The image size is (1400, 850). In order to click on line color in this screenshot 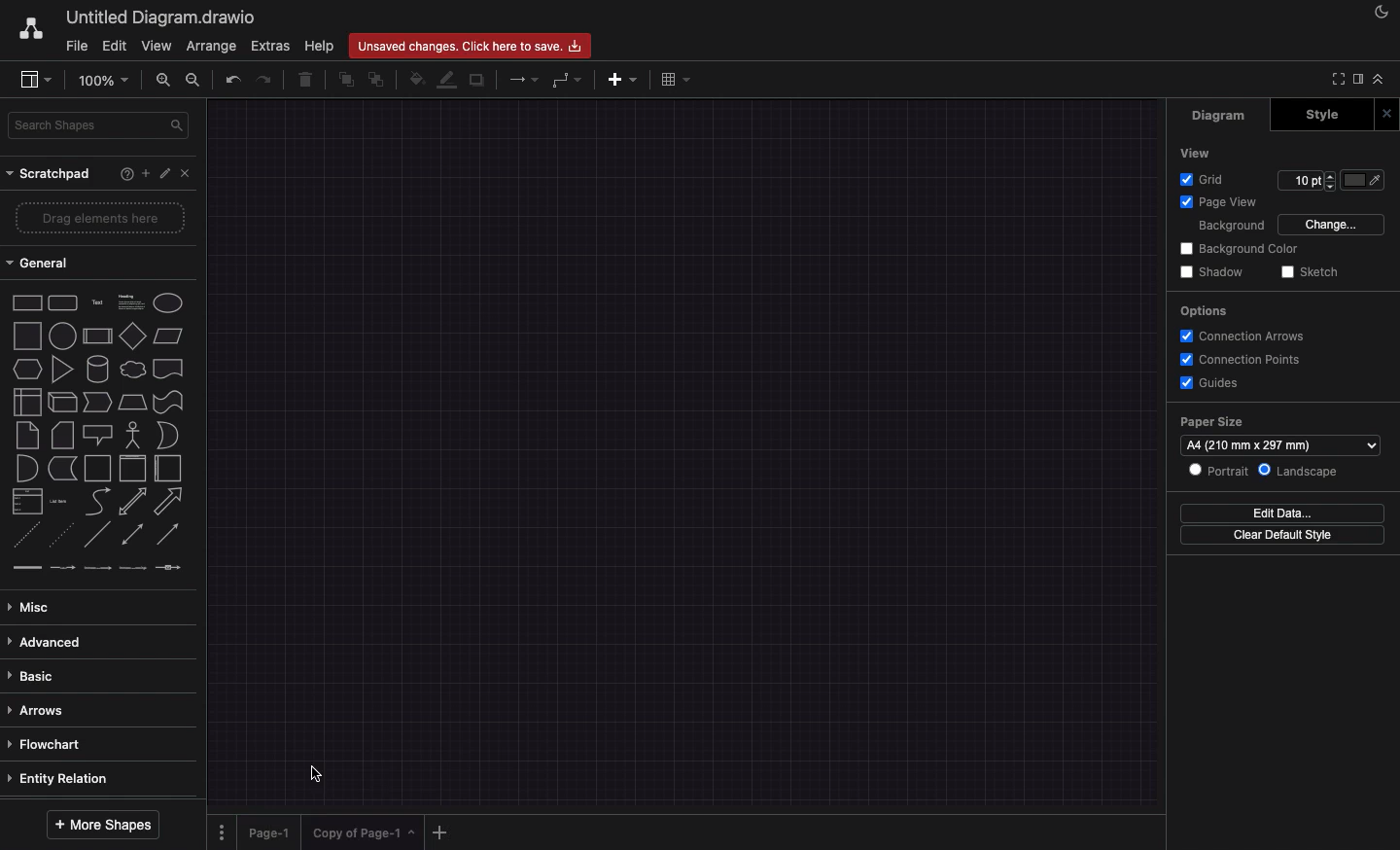, I will do `click(447, 79)`.